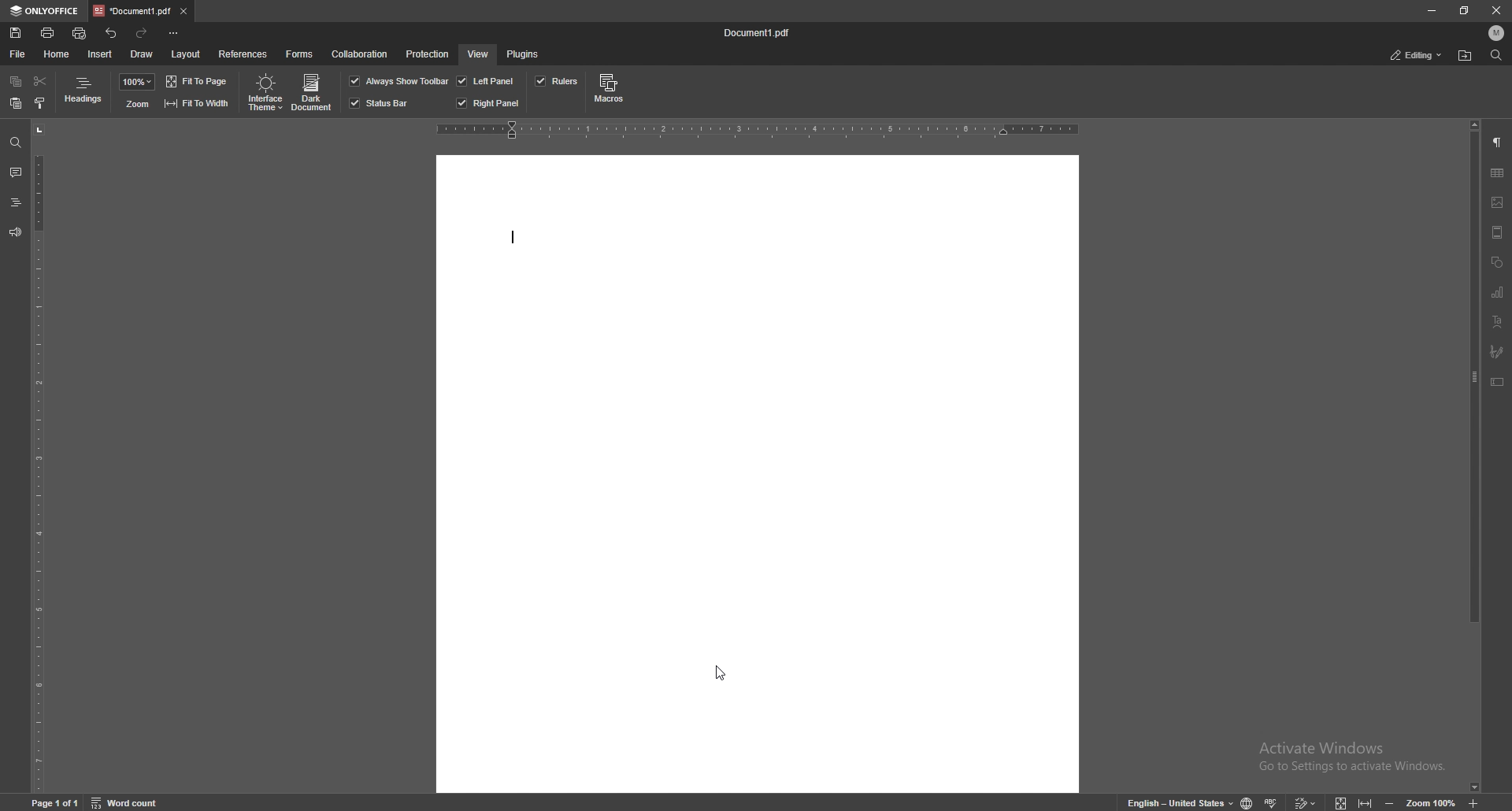 This screenshot has height=811, width=1512. Describe the element at coordinates (18, 54) in the screenshot. I see `file` at that location.